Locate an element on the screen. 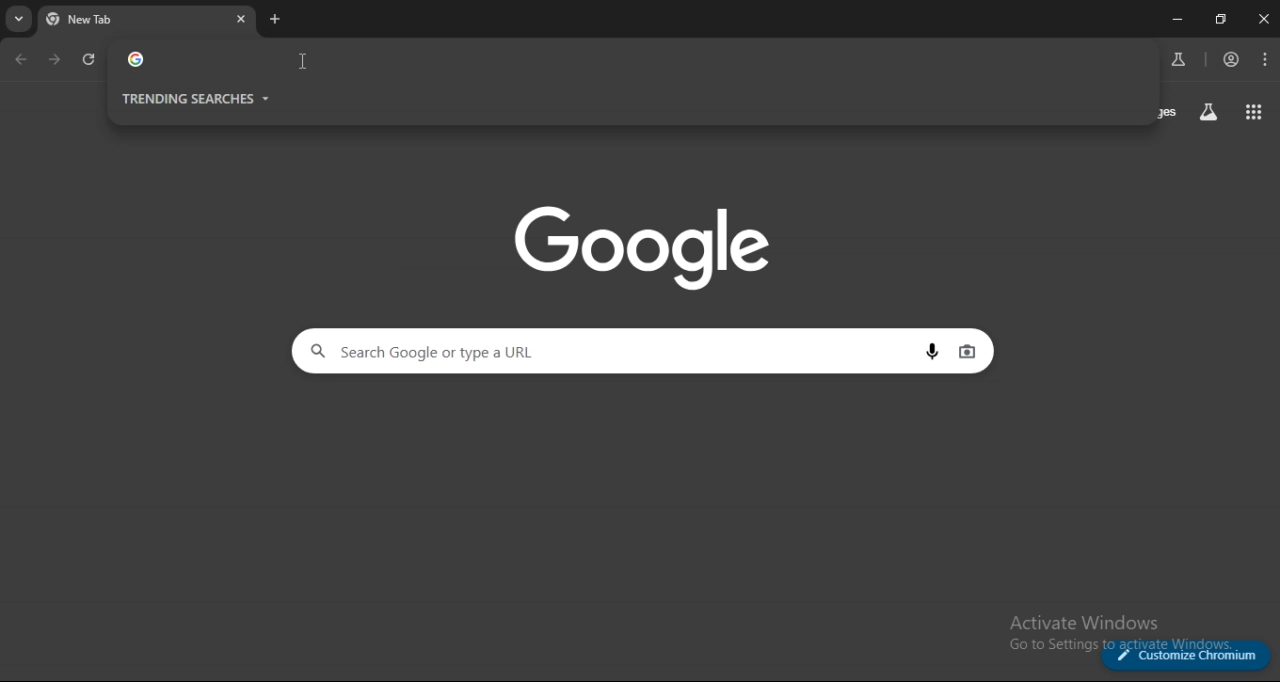 The width and height of the screenshot is (1280, 682). close is located at coordinates (1262, 20).